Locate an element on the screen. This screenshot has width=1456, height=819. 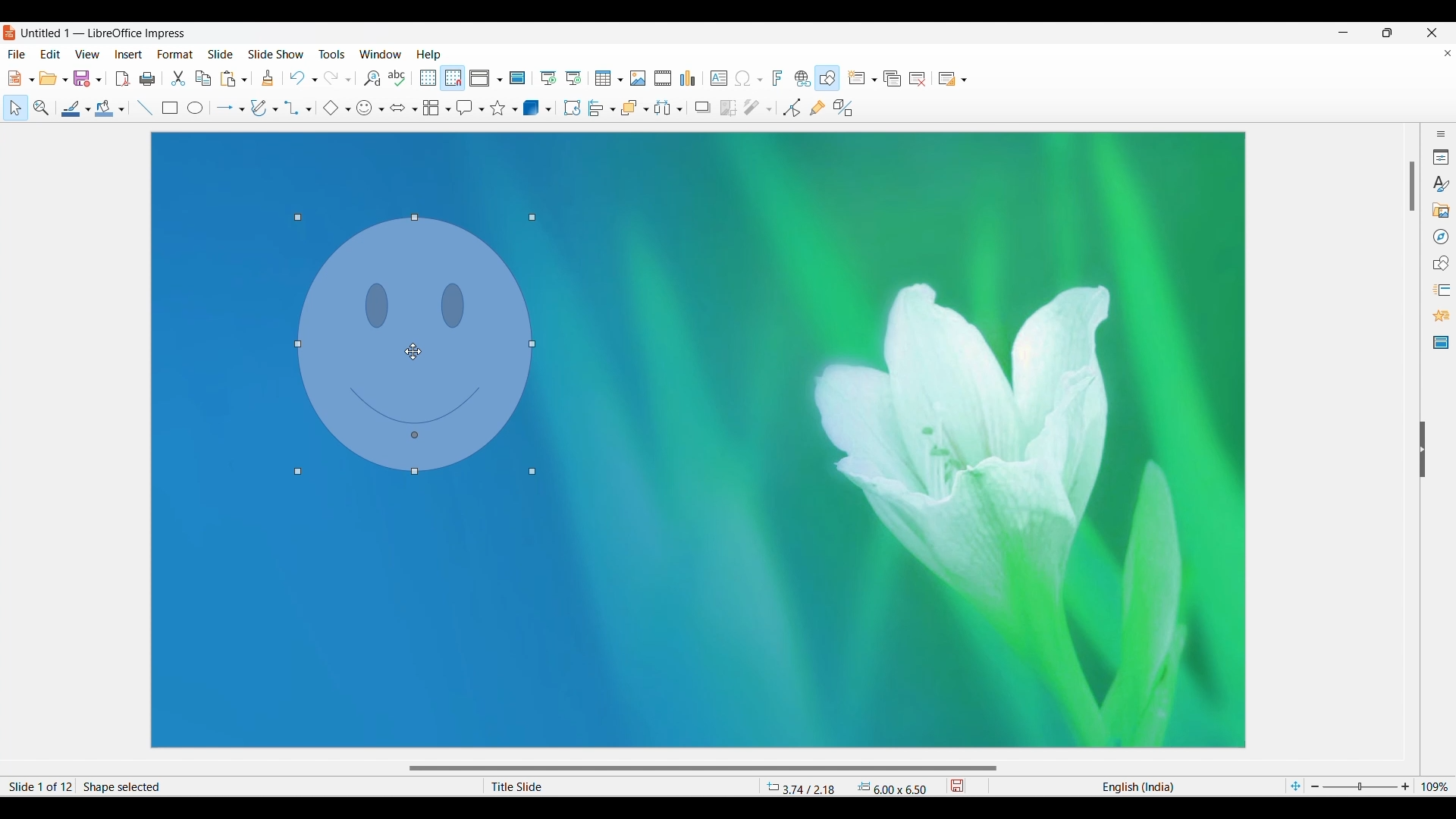
Open options is located at coordinates (66, 80).